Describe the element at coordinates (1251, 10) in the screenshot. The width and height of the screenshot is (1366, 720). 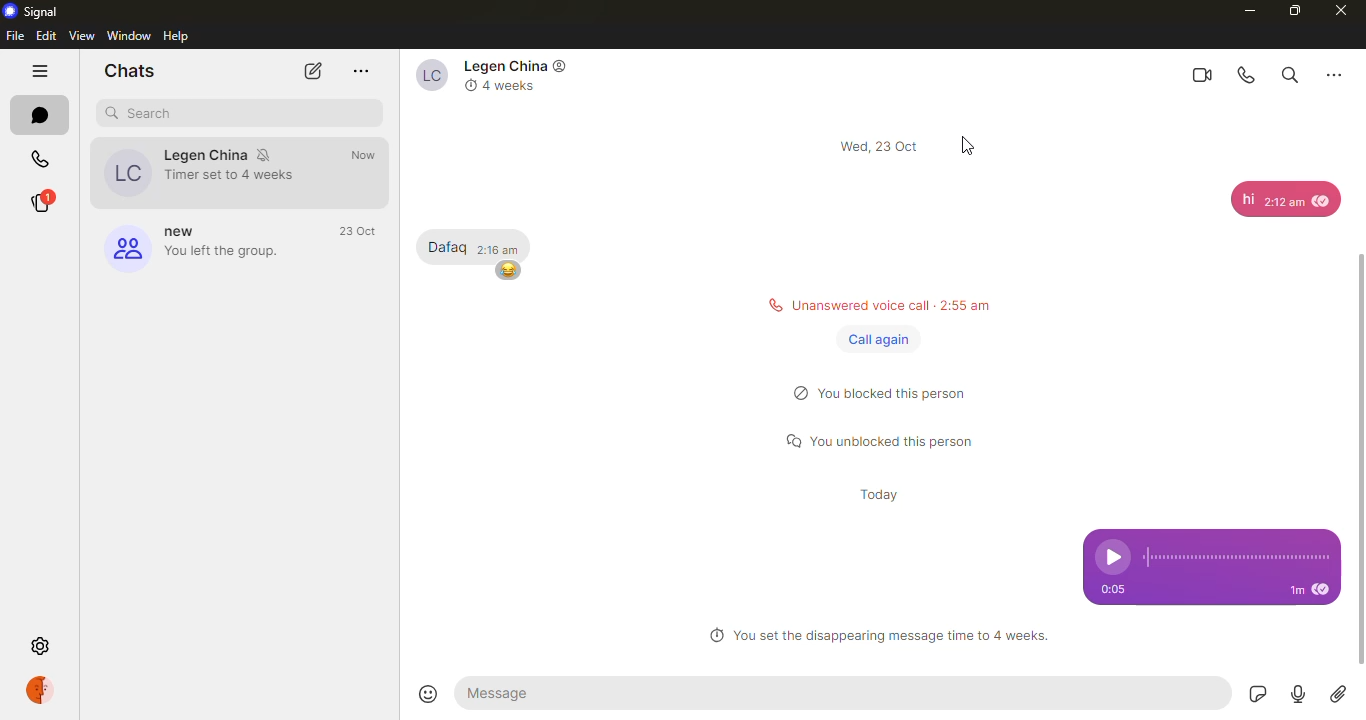
I see `minimize` at that location.